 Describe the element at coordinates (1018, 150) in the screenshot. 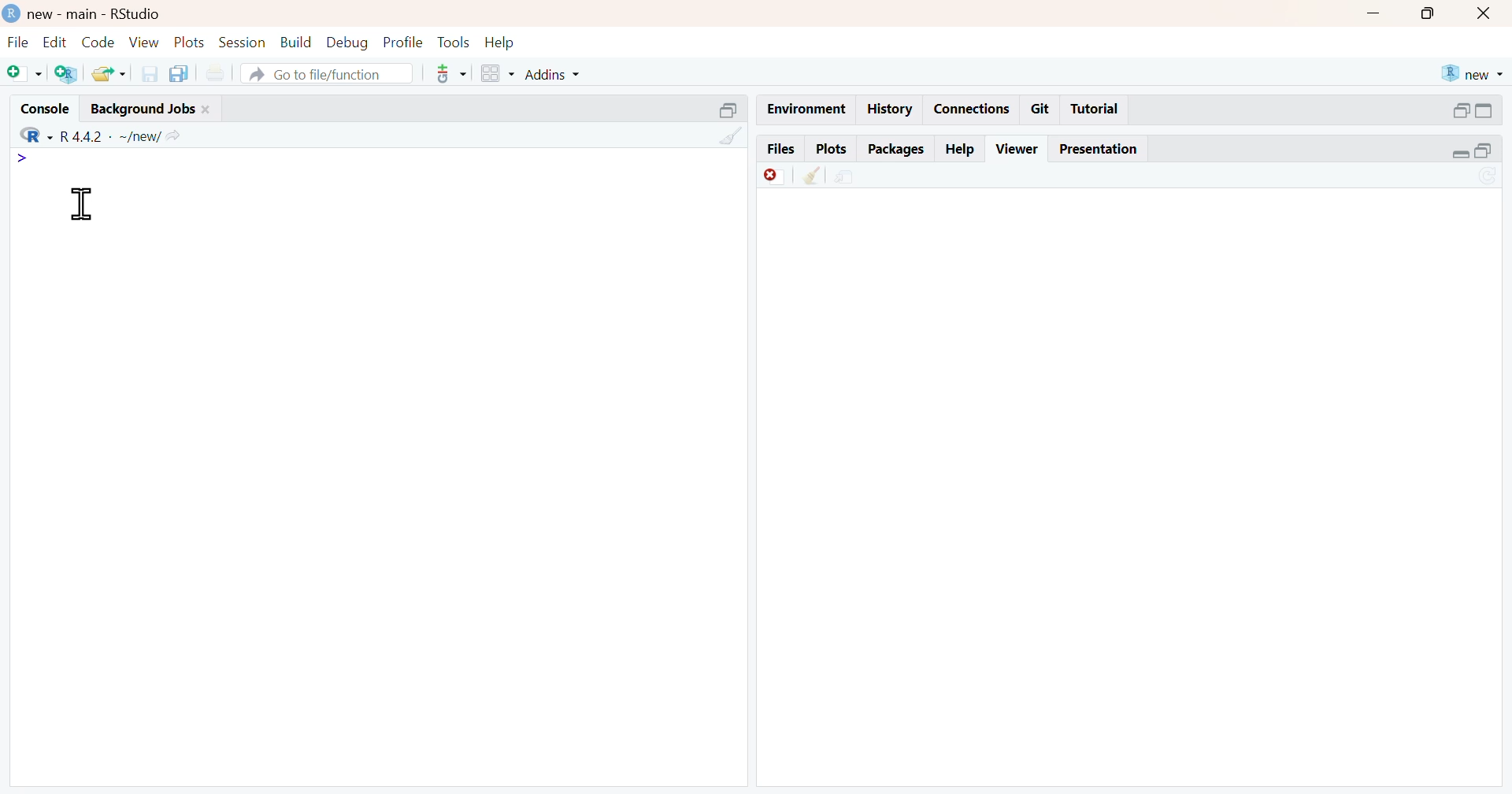

I see `viewer` at that location.